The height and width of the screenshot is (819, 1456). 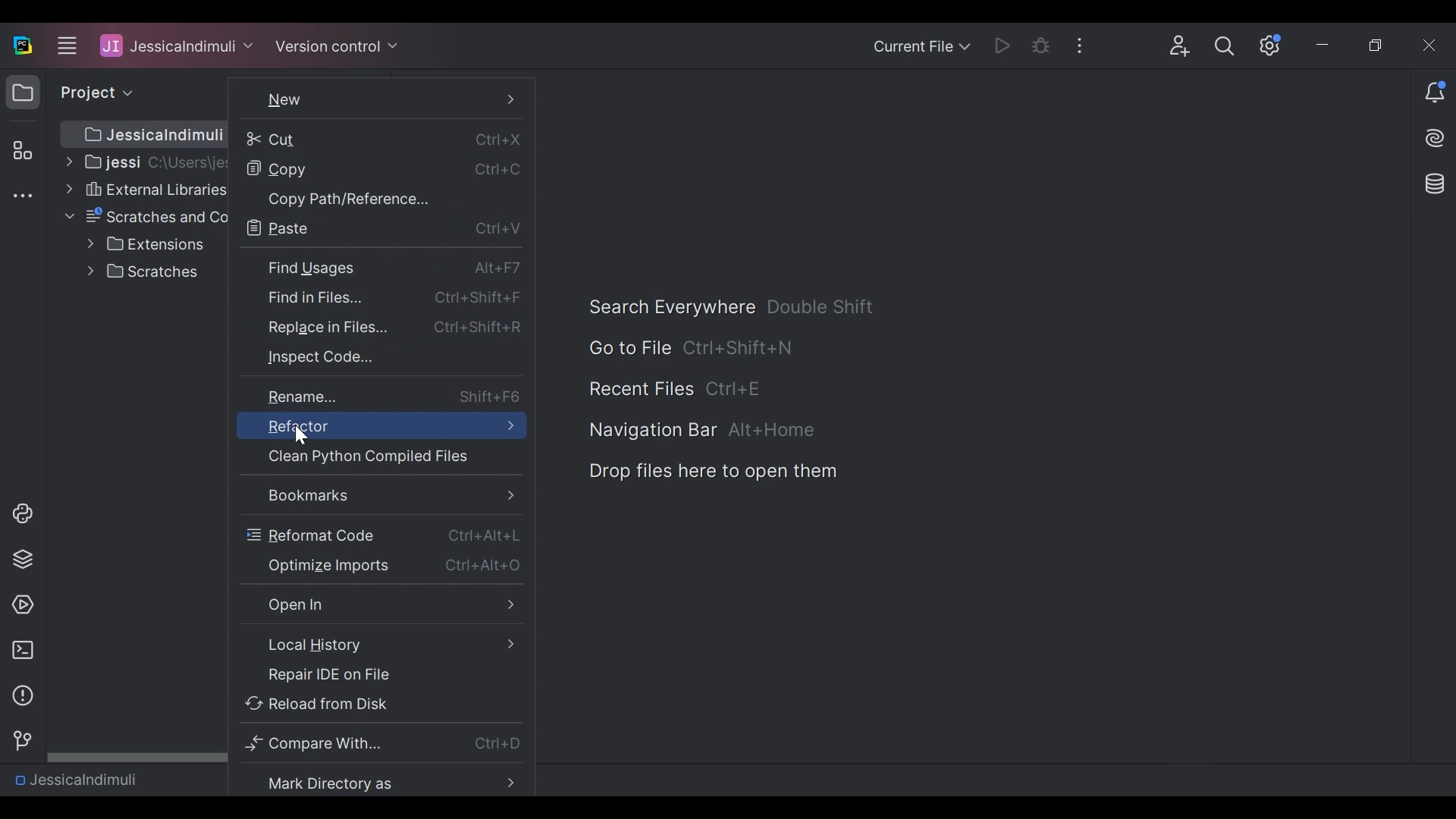 What do you see at coordinates (22, 95) in the screenshot?
I see `folder` at bounding box center [22, 95].